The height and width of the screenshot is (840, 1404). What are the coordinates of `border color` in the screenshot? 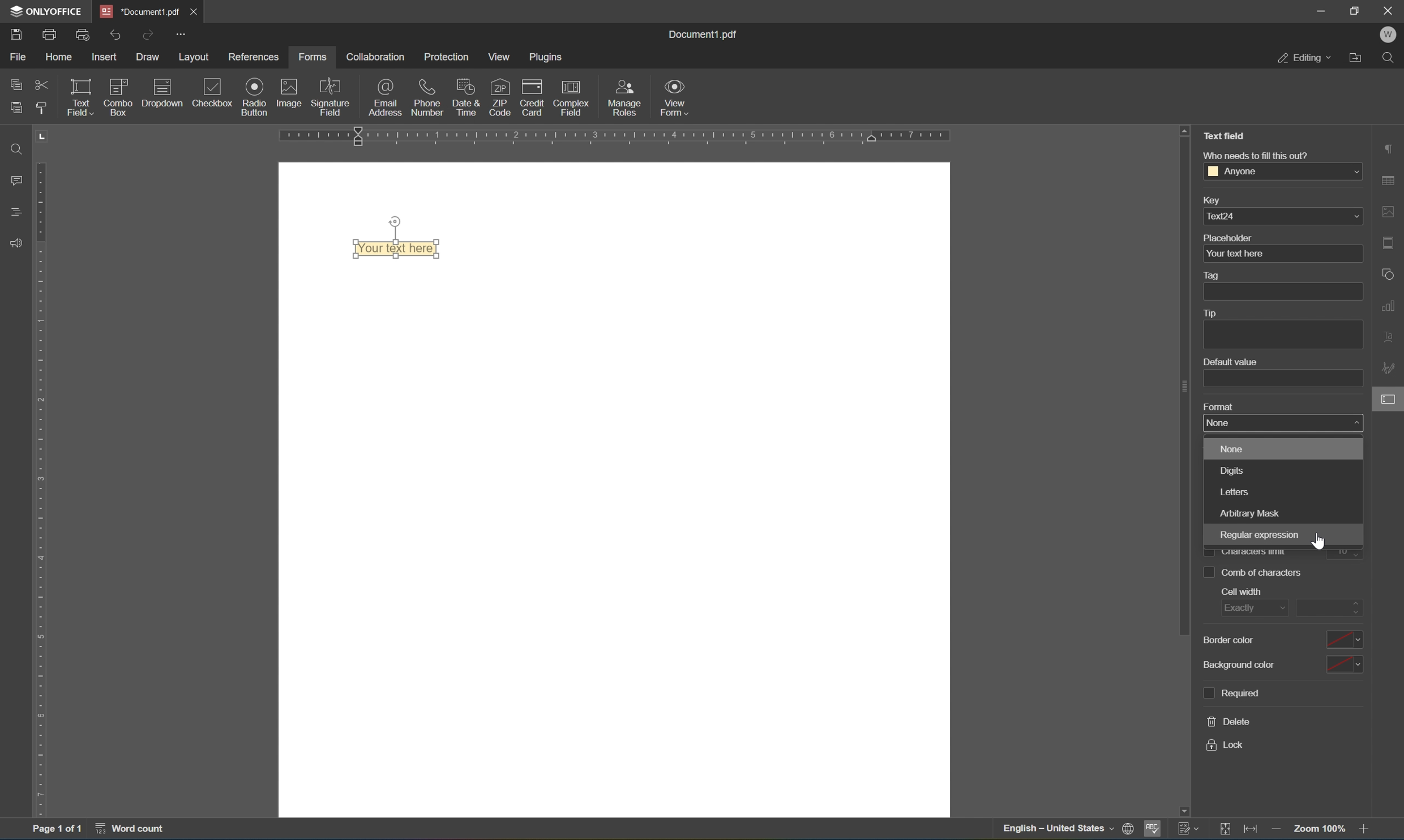 It's located at (1229, 641).